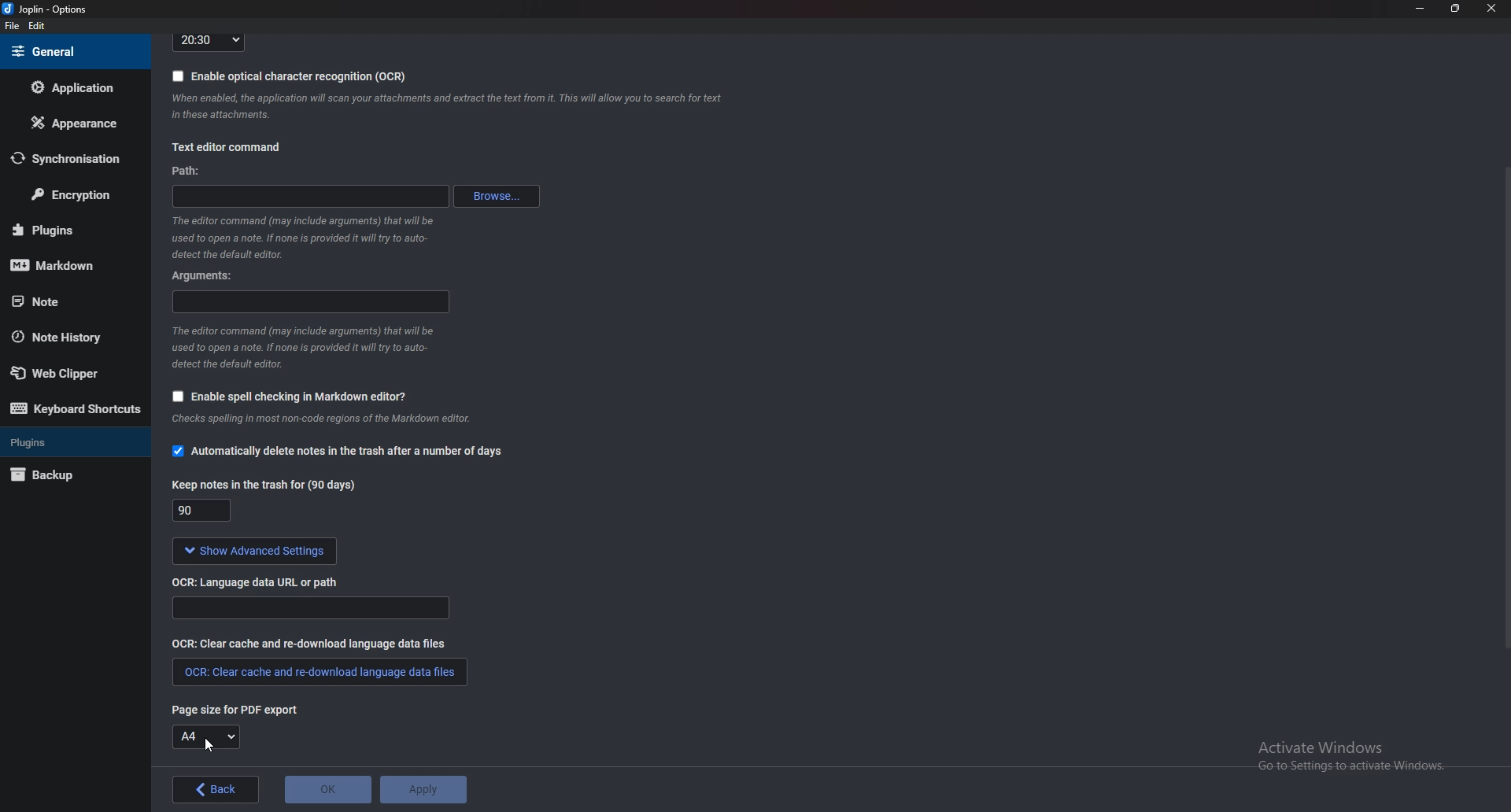  I want to click on joplin, so click(48, 10).